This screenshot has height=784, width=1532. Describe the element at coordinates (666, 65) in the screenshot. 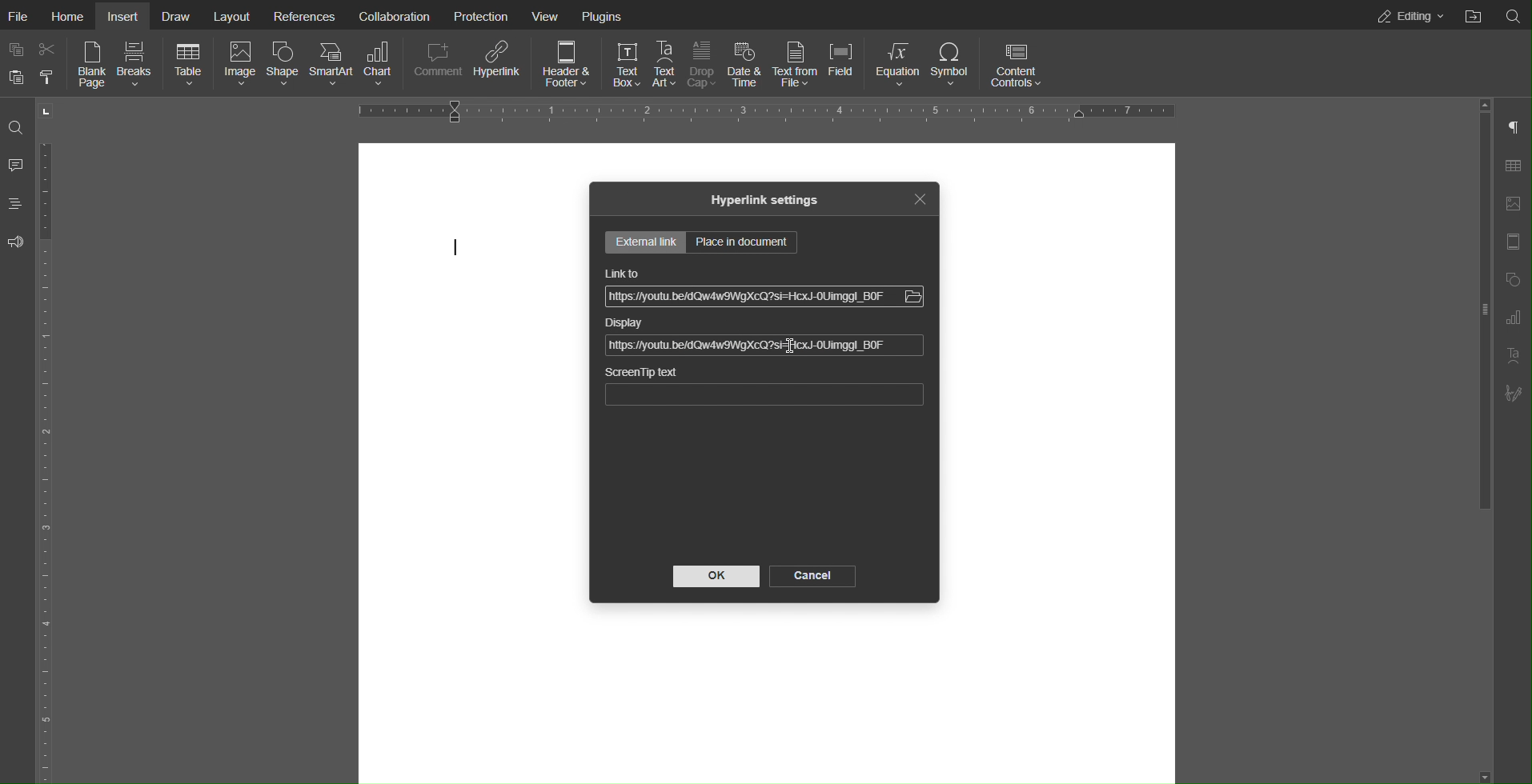

I see `Text Art` at that location.